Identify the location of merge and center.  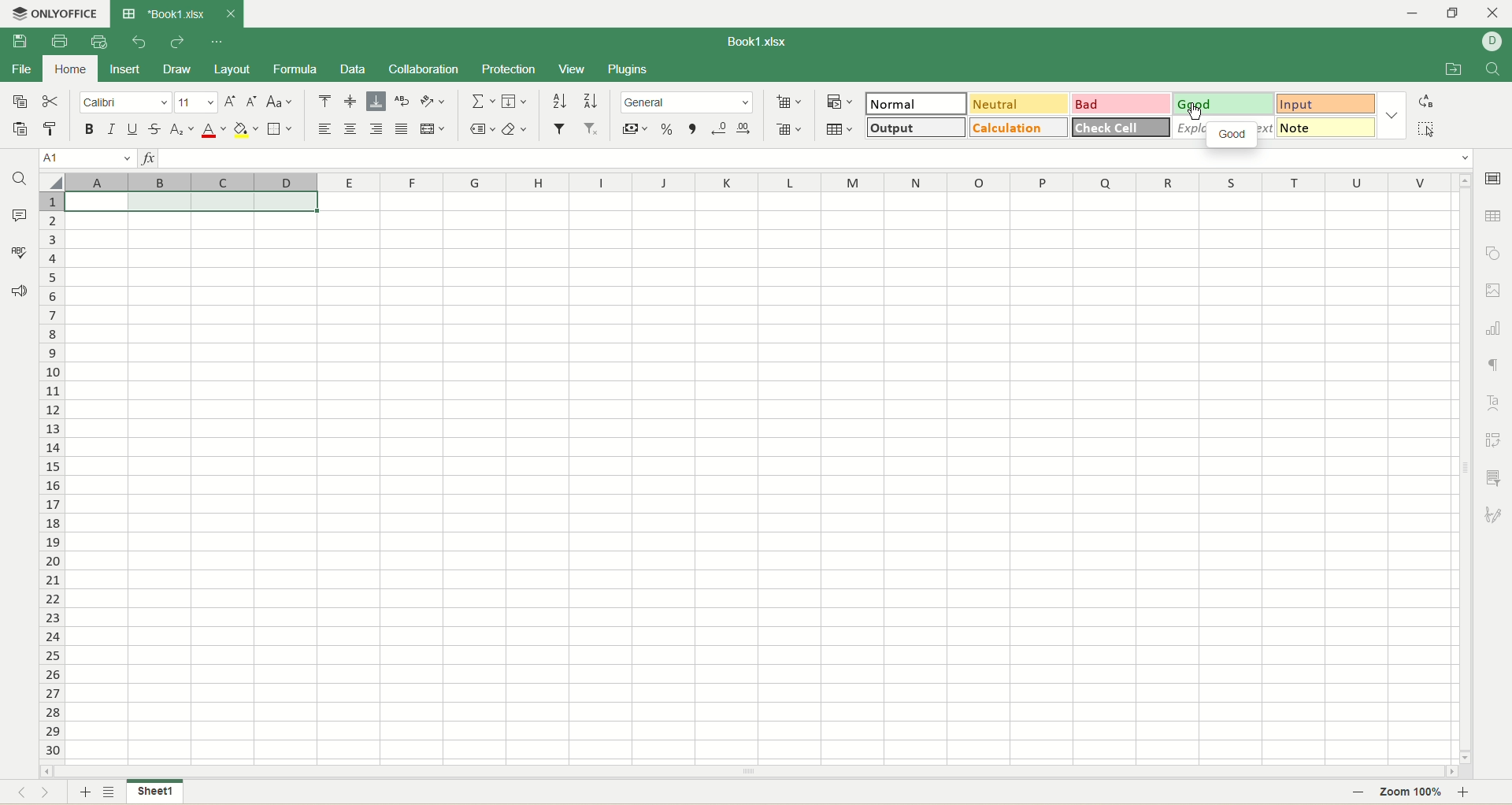
(432, 129).